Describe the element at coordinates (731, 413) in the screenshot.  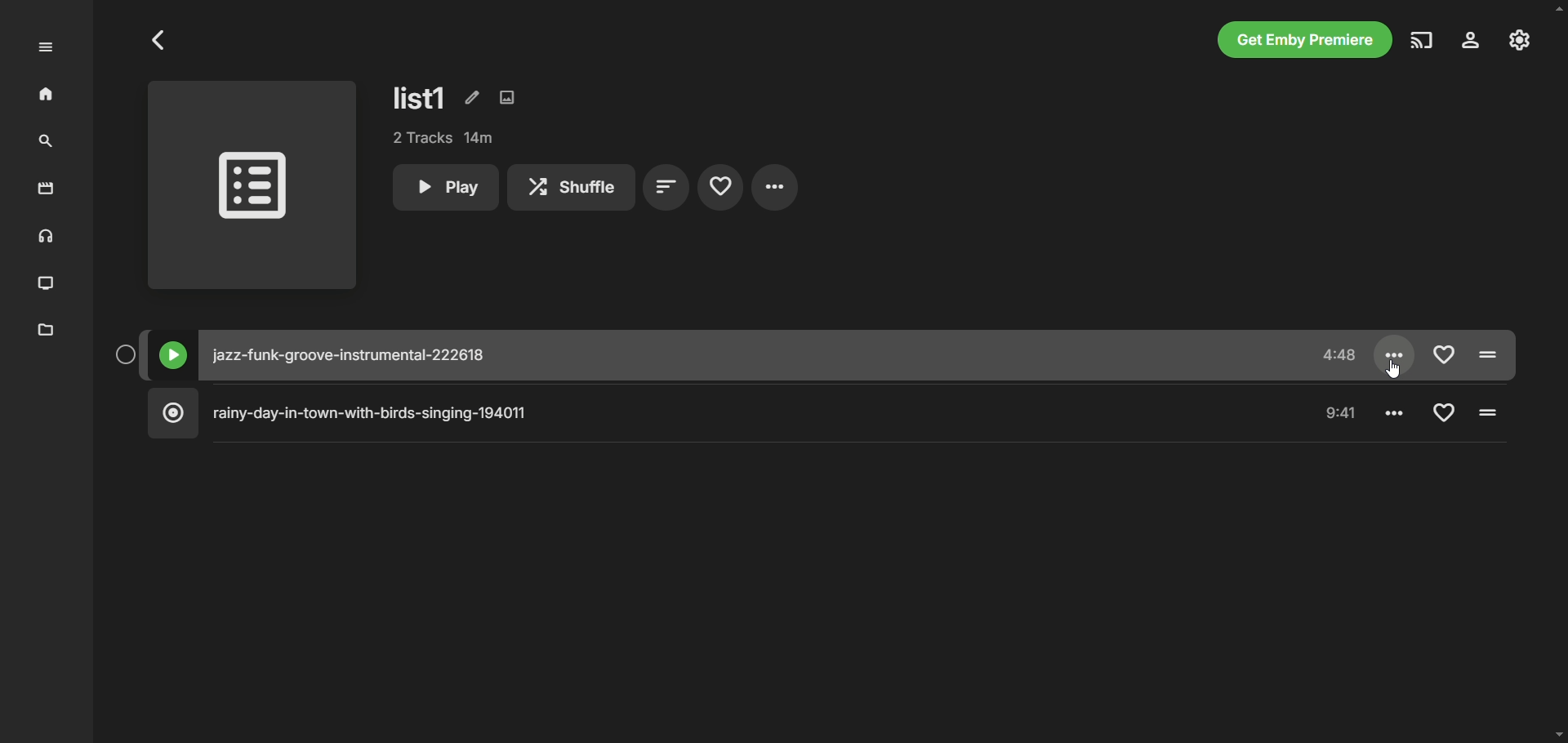
I see `music title` at that location.